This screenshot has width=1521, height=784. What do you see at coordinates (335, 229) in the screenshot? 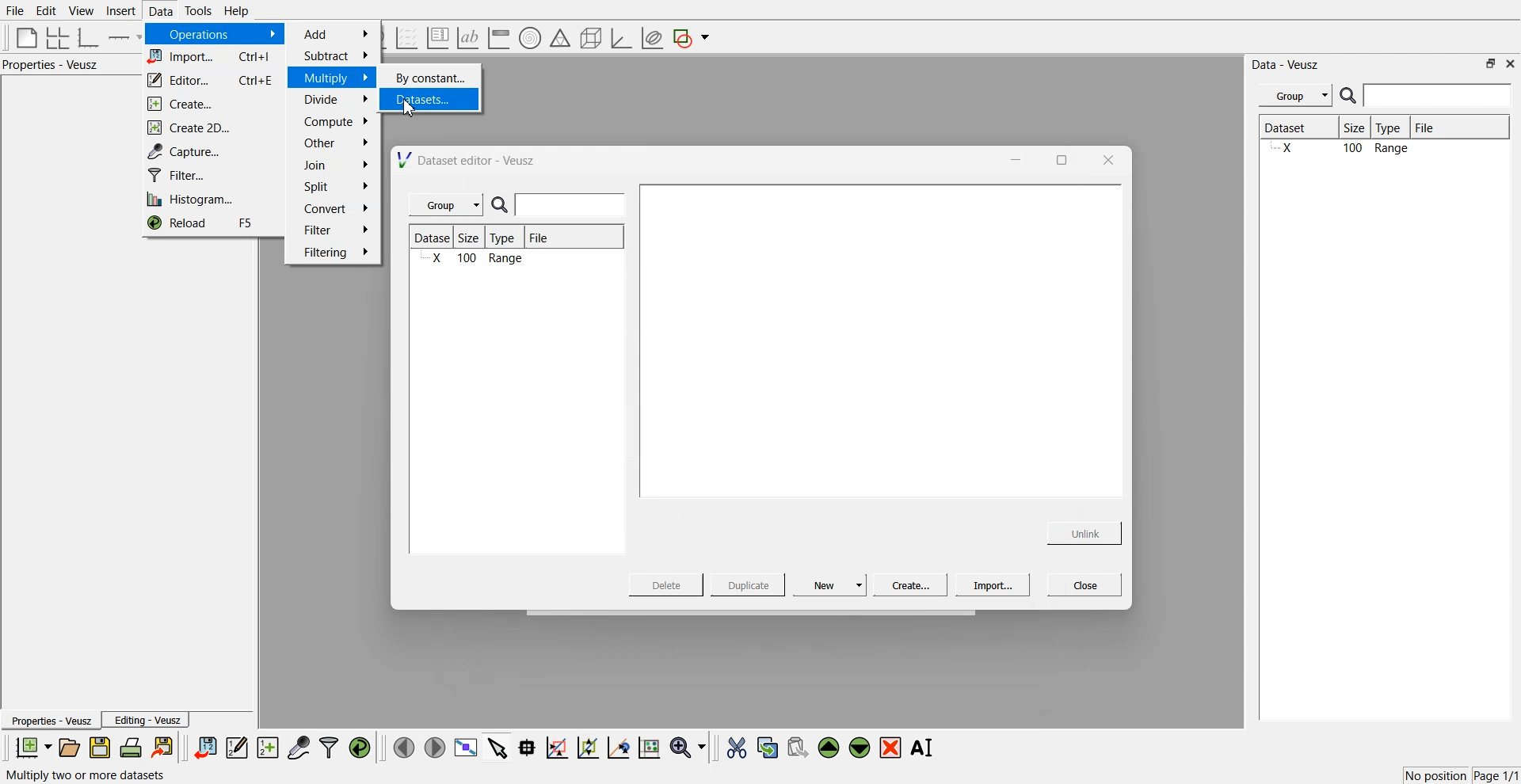
I see `Filter` at bounding box center [335, 229].